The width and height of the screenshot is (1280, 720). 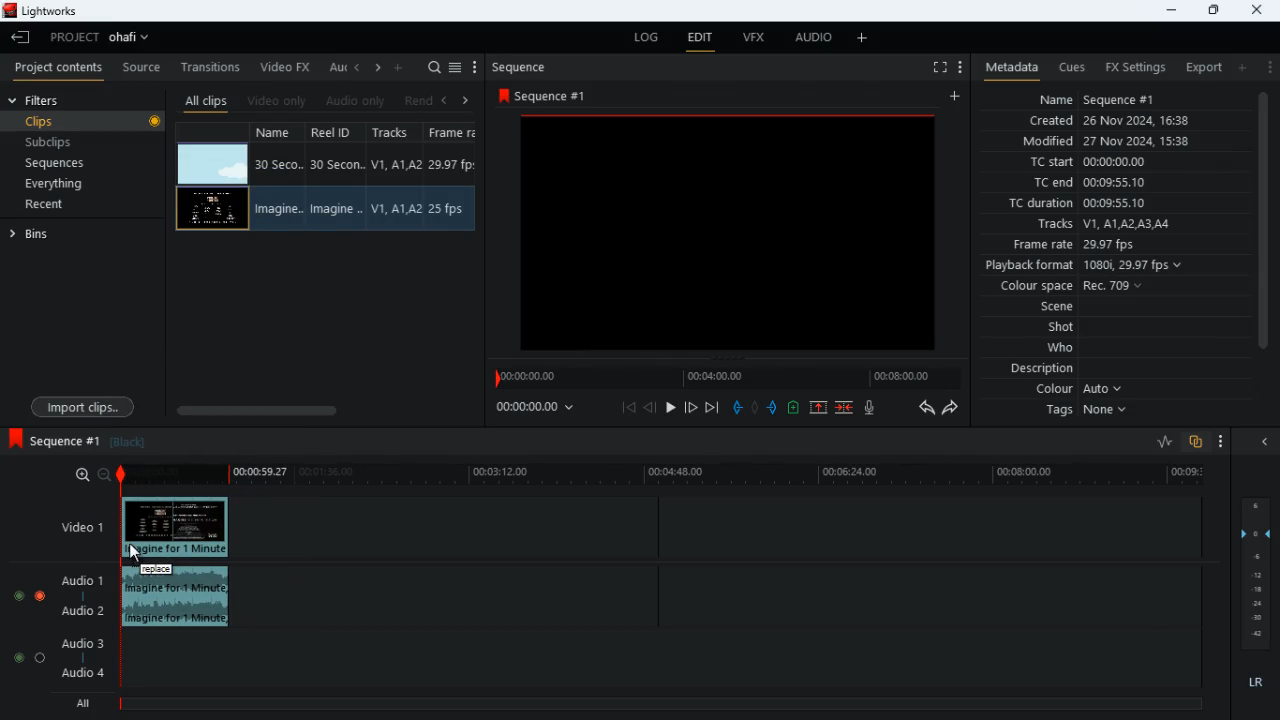 What do you see at coordinates (337, 178) in the screenshot?
I see `reel id` at bounding box center [337, 178].